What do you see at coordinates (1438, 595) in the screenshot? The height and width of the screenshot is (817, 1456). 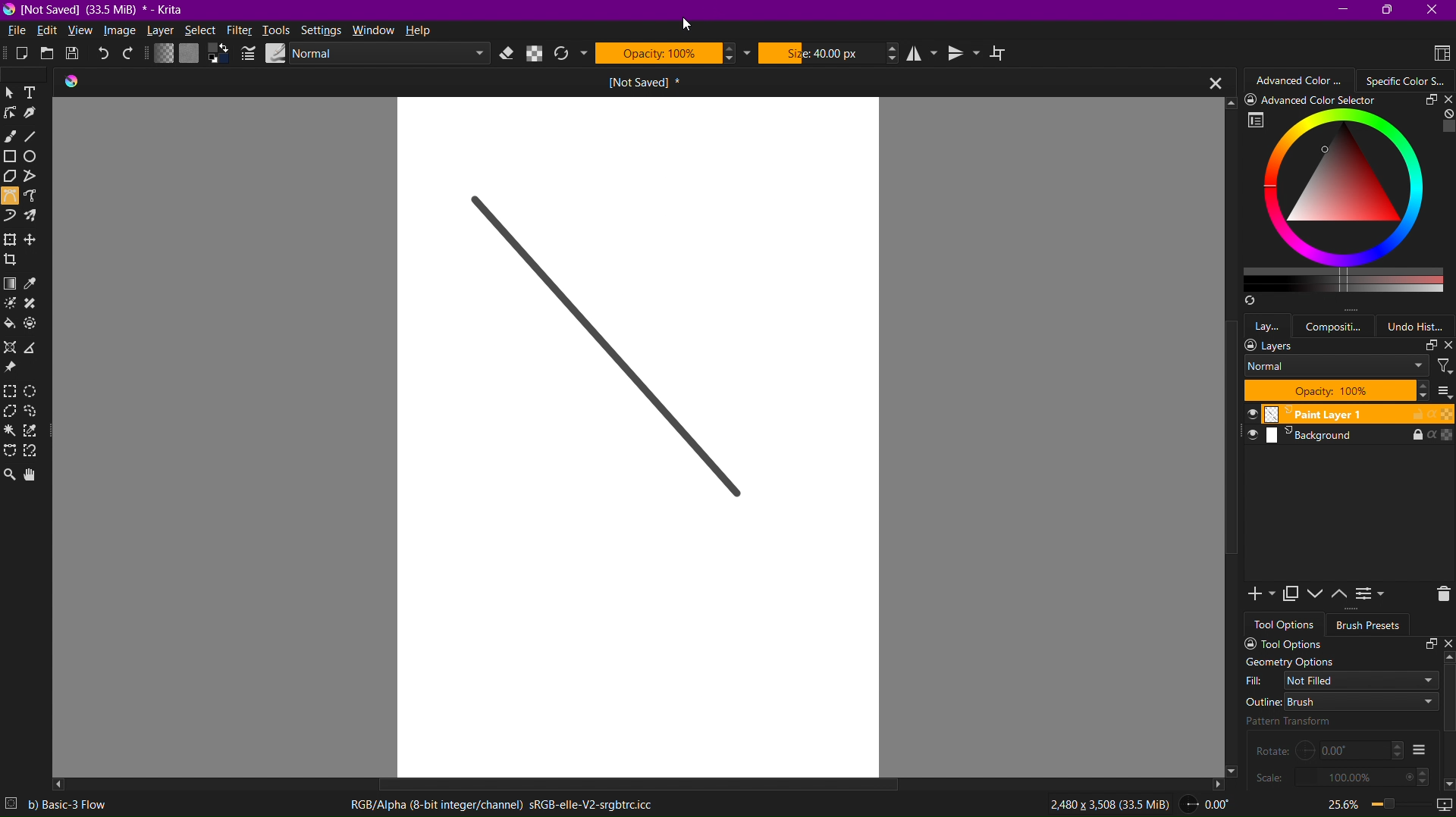 I see `Delete Layer or Mask` at bounding box center [1438, 595].